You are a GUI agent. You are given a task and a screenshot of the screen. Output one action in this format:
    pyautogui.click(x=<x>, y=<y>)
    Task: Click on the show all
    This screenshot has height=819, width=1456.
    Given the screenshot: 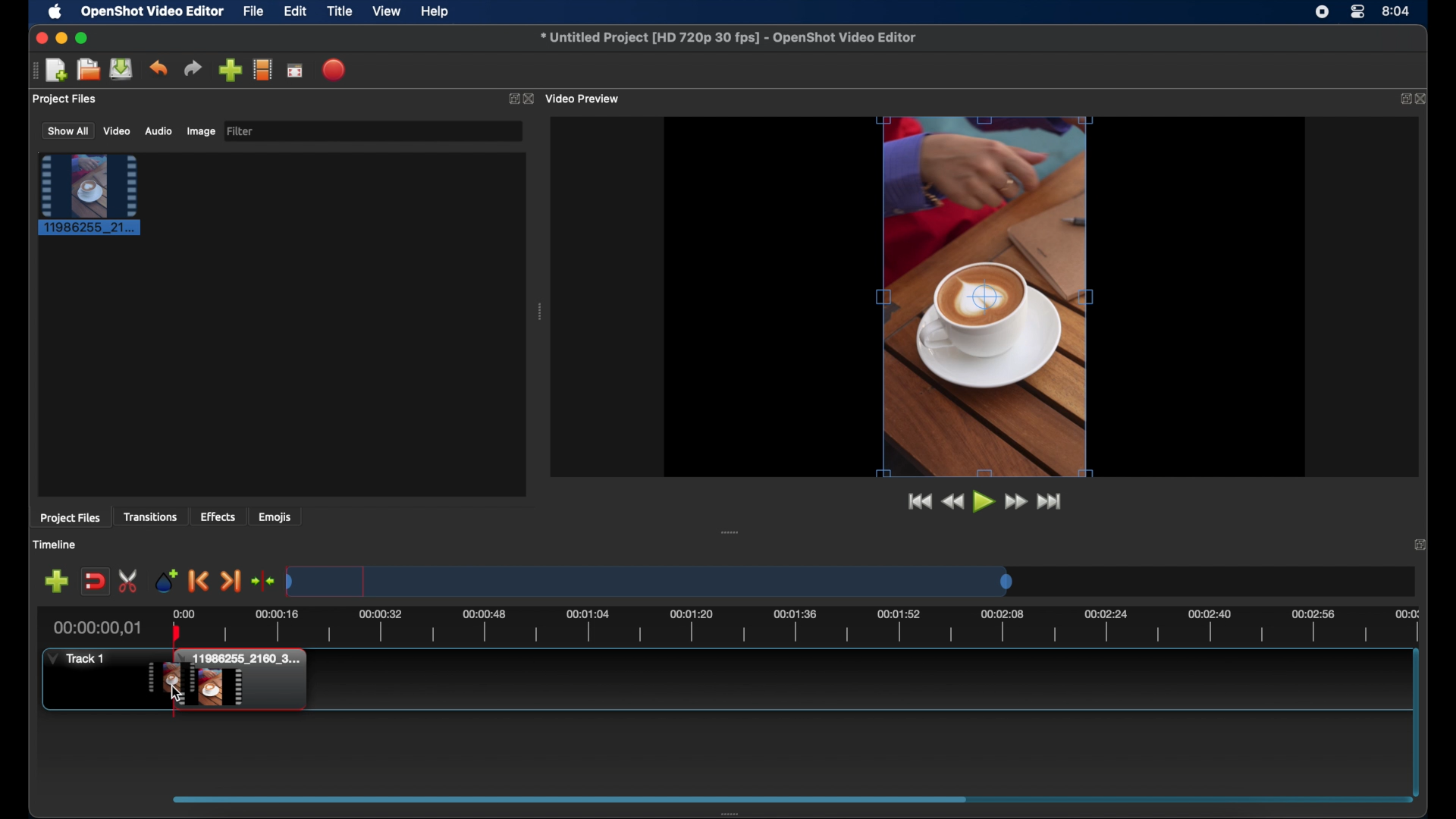 What is the action you would take?
    pyautogui.click(x=67, y=131)
    